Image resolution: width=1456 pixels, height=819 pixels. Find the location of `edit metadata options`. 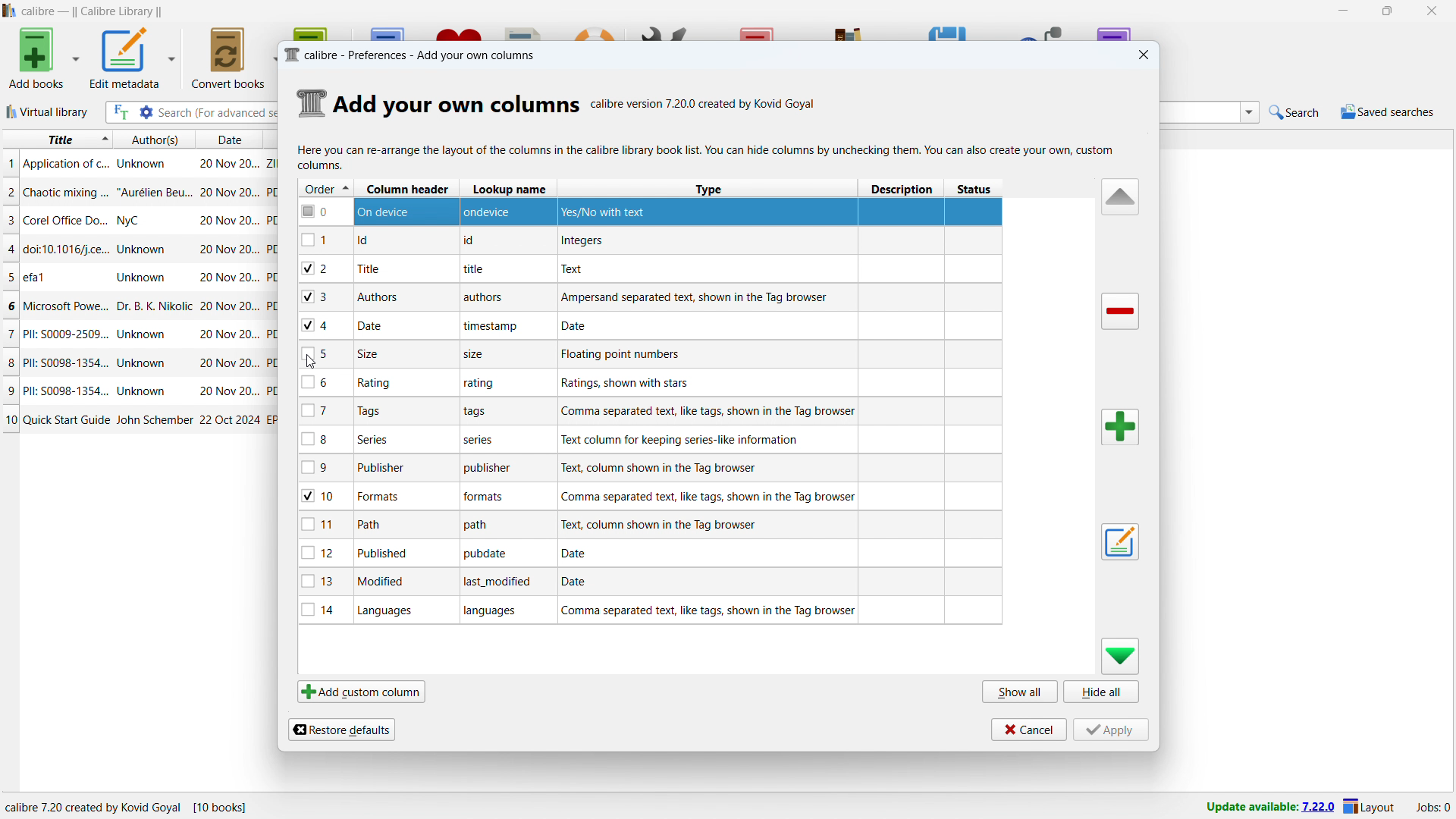

edit metadata options is located at coordinates (172, 58).